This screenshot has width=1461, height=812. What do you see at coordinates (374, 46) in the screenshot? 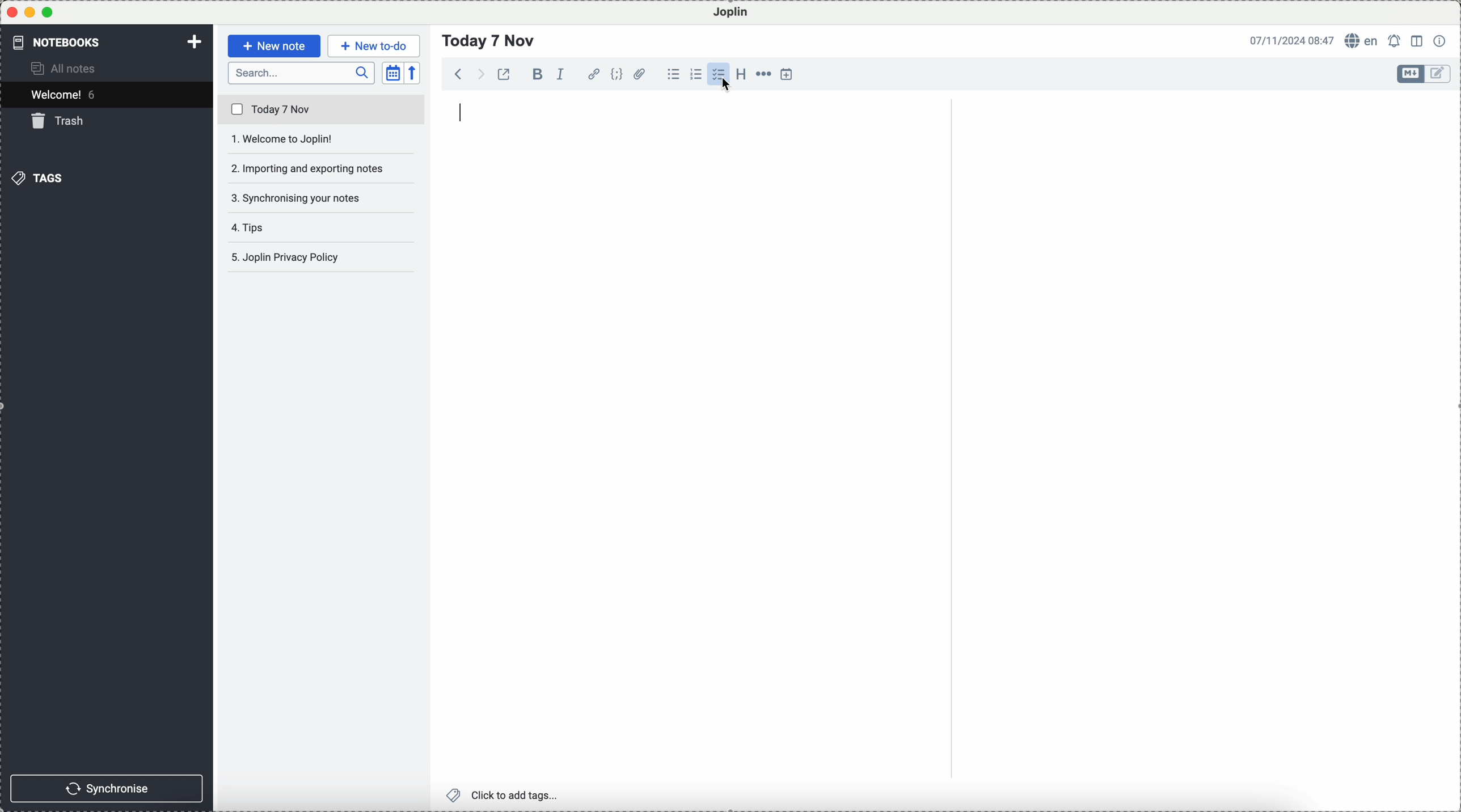
I see `new to-do button` at bounding box center [374, 46].